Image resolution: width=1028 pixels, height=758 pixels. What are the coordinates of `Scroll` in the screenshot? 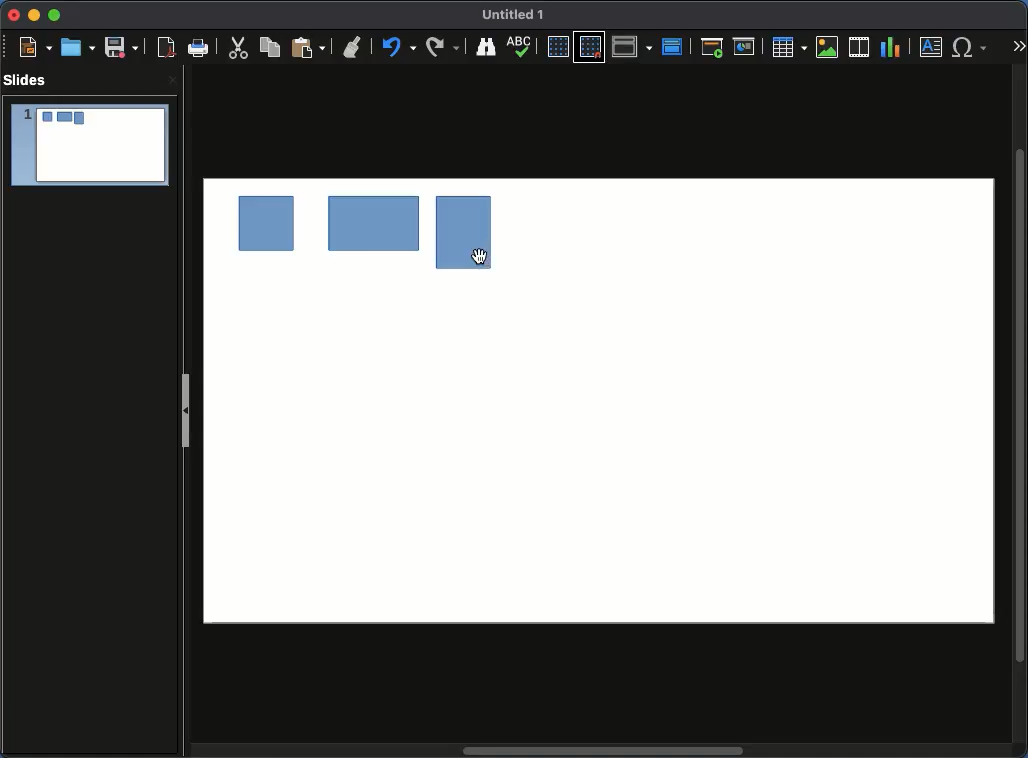 It's located at (1020, 406).